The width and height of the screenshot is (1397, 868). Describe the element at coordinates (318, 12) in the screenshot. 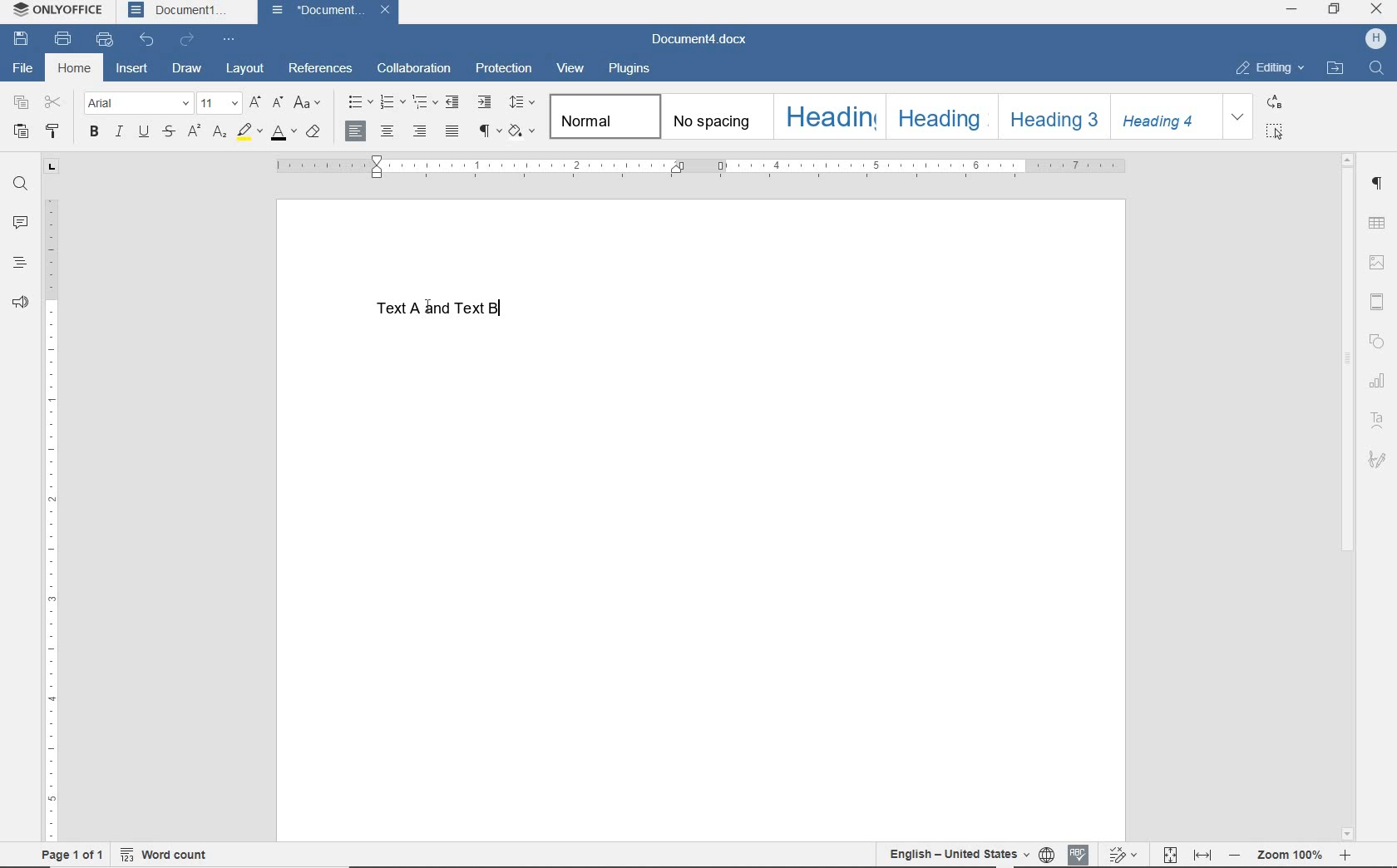

I see `document` at that location.